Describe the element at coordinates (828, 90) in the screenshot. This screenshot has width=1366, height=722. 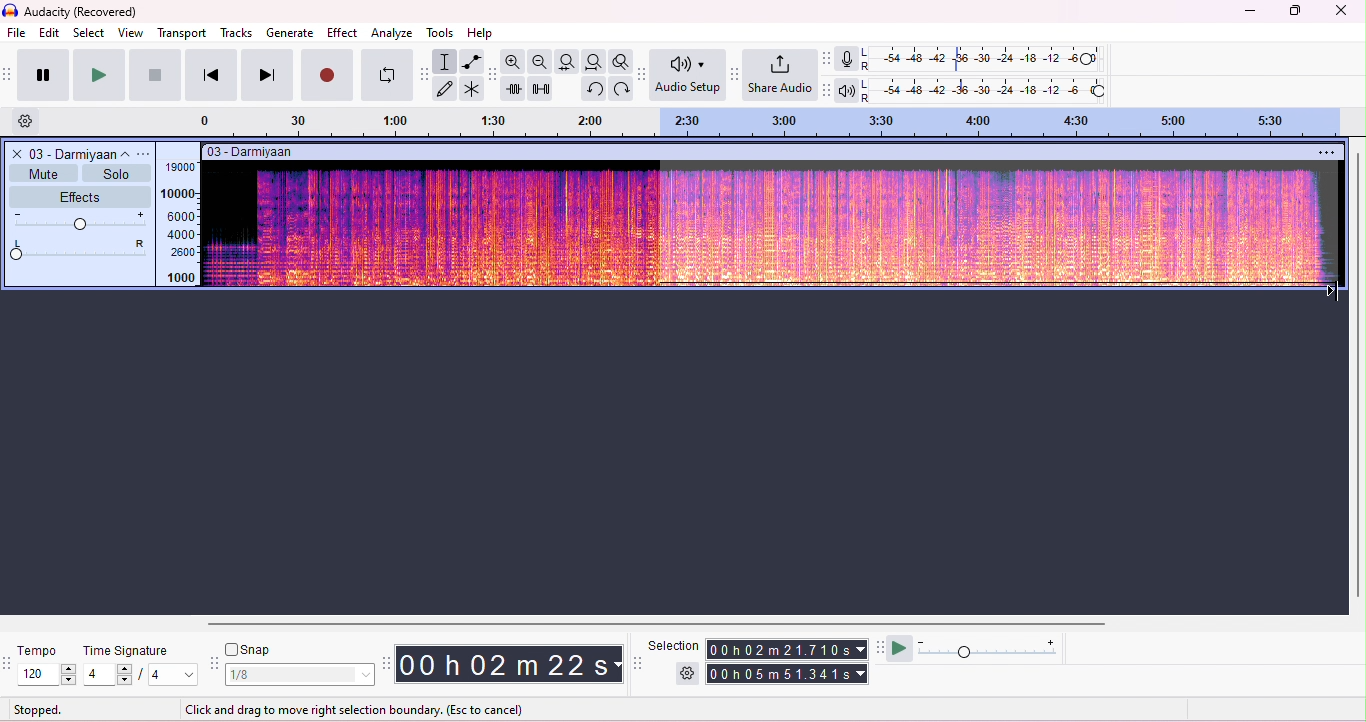
I see `playback meter tool bar` at that location.